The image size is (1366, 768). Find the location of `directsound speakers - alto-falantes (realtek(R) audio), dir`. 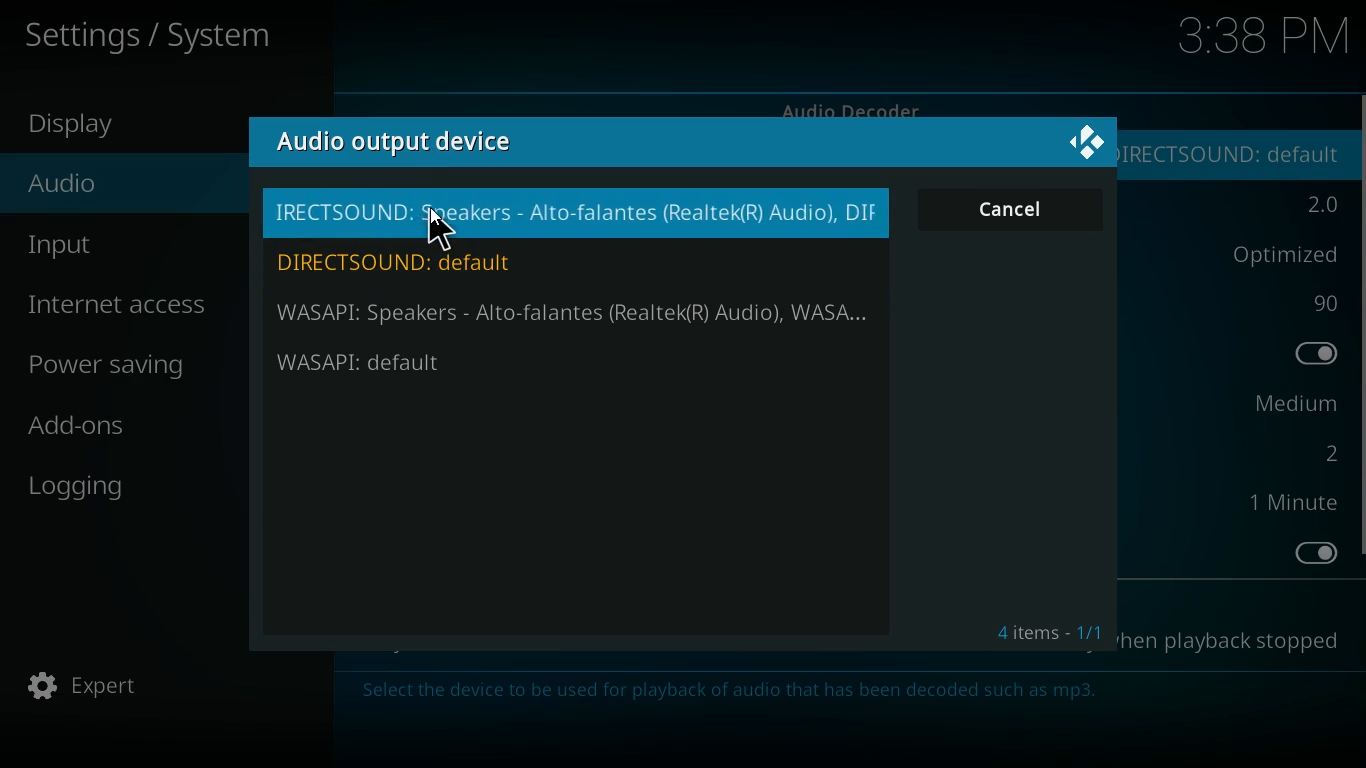

directsound speakers - alto-falantes (realtek(R) audio), dir is located at coordinates (577, 214).